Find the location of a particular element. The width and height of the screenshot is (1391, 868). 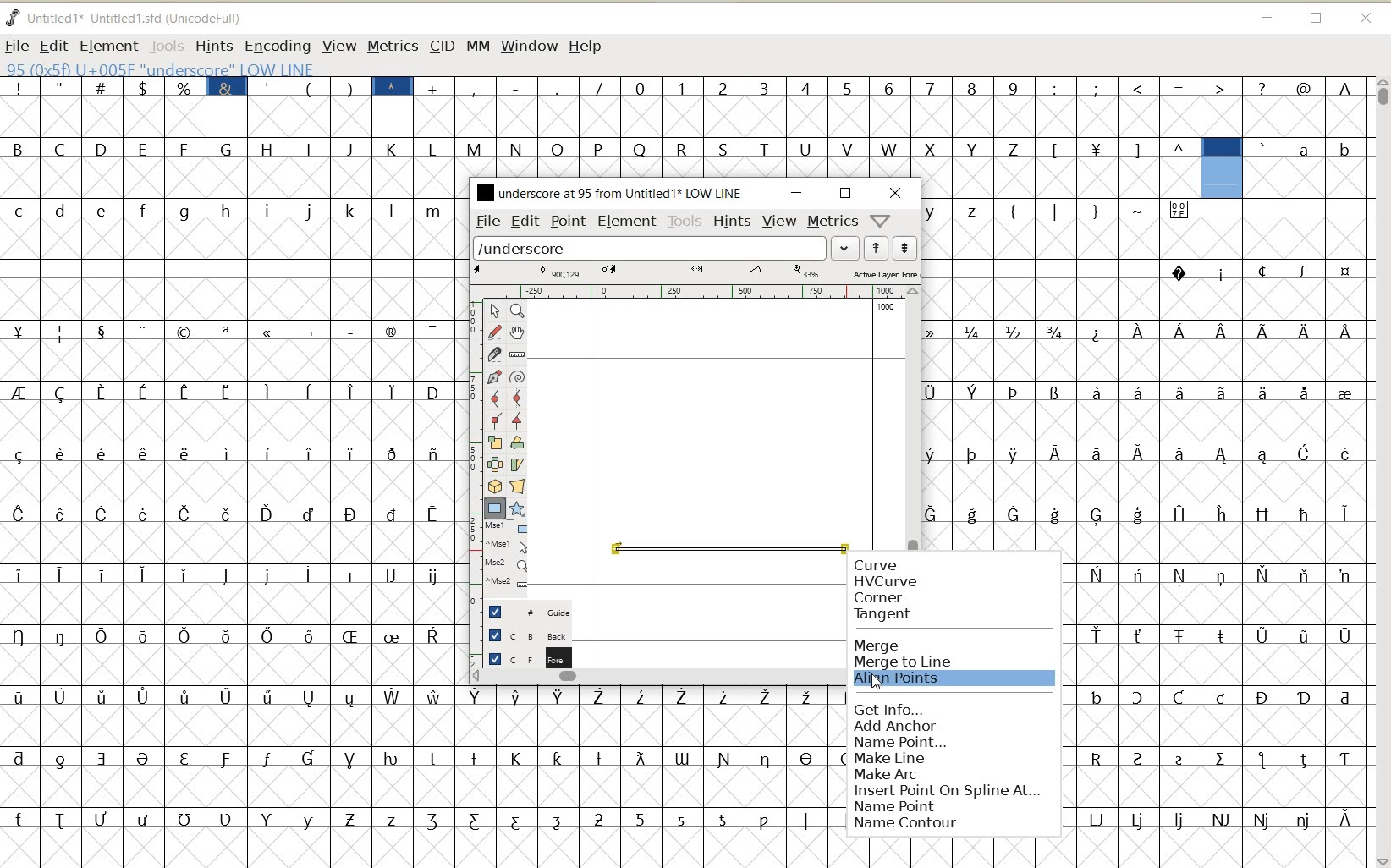

VIEW is located at coordinates (779, 219).